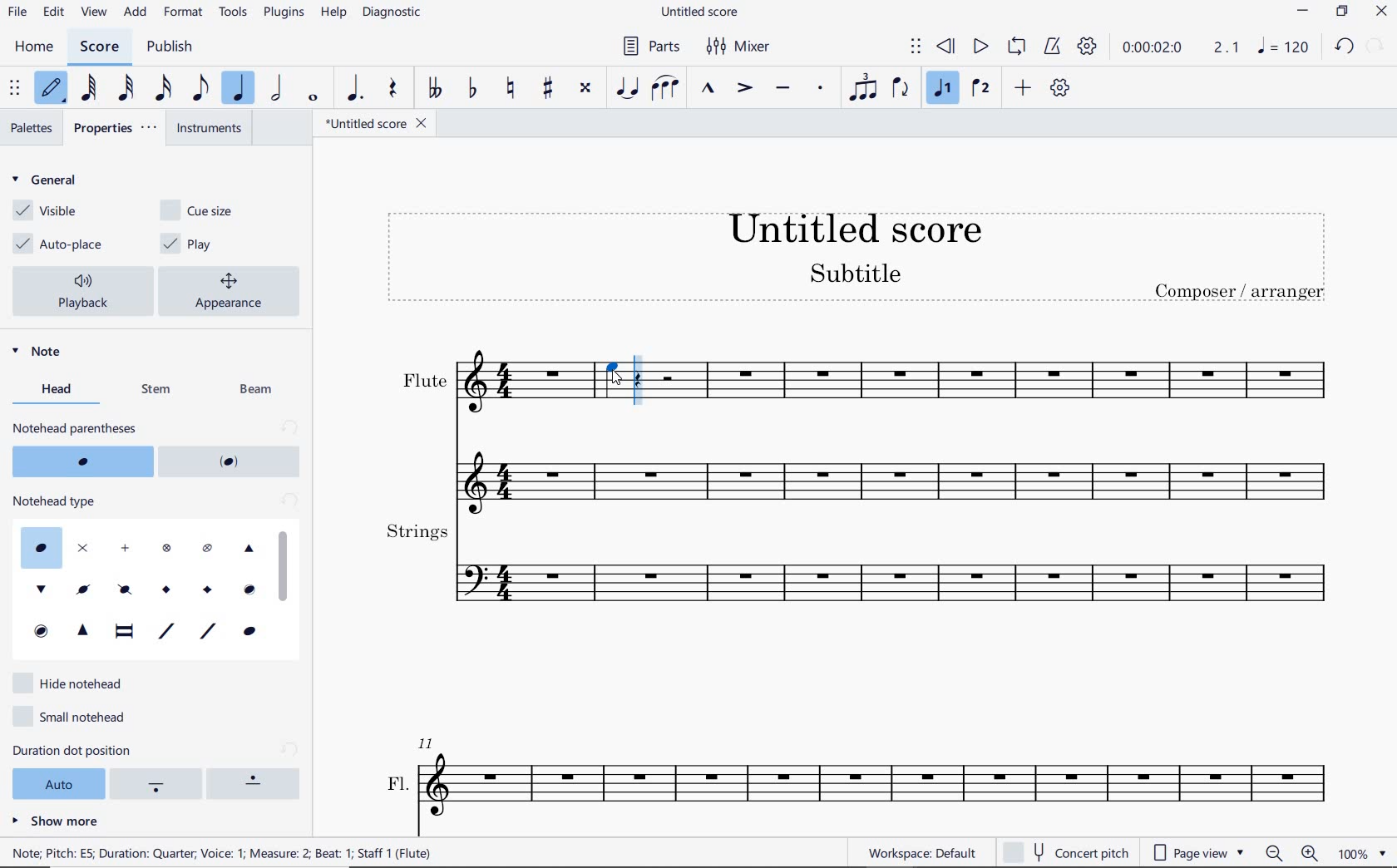  What do you see at coordinates (52, 12) in the screenshot?
I see `edit` at bounding box center [52, 12].